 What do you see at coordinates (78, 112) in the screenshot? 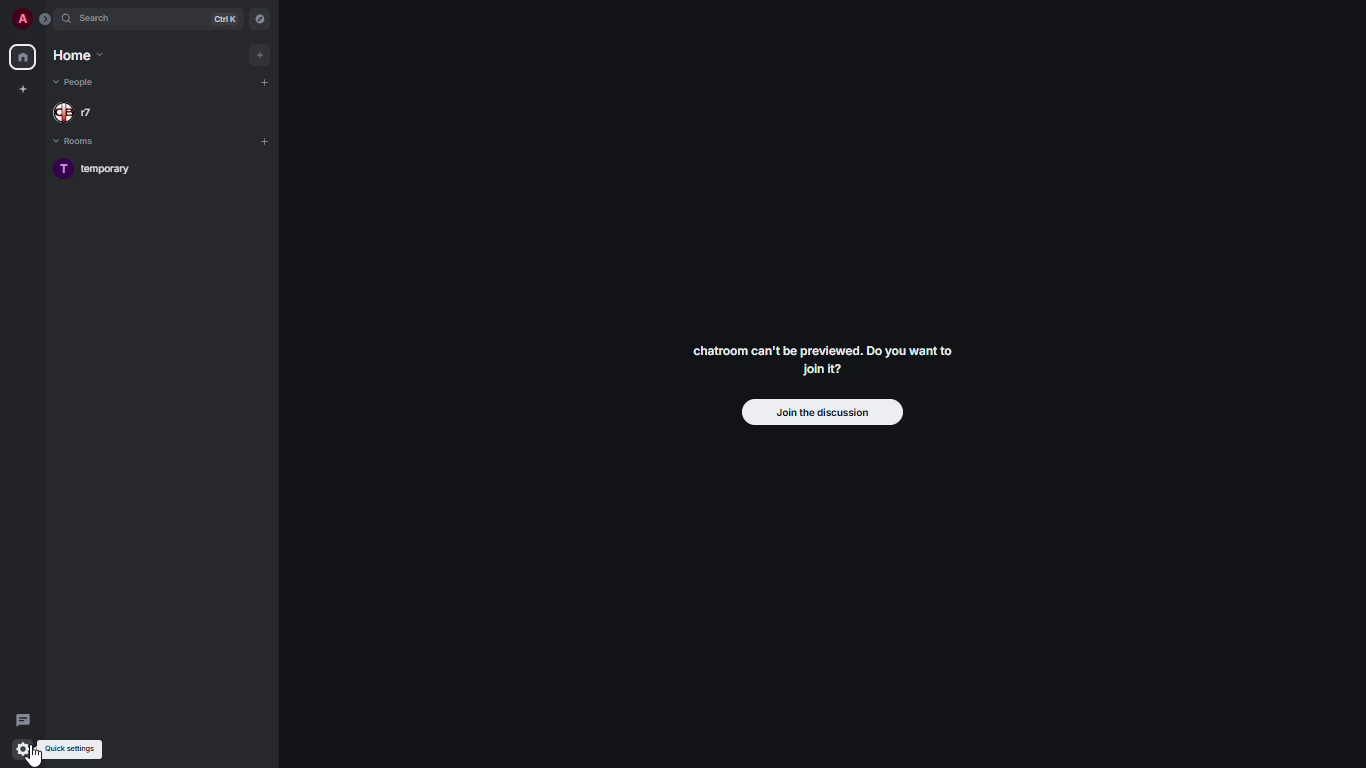
I see `people` at bounding box center [78, 112].